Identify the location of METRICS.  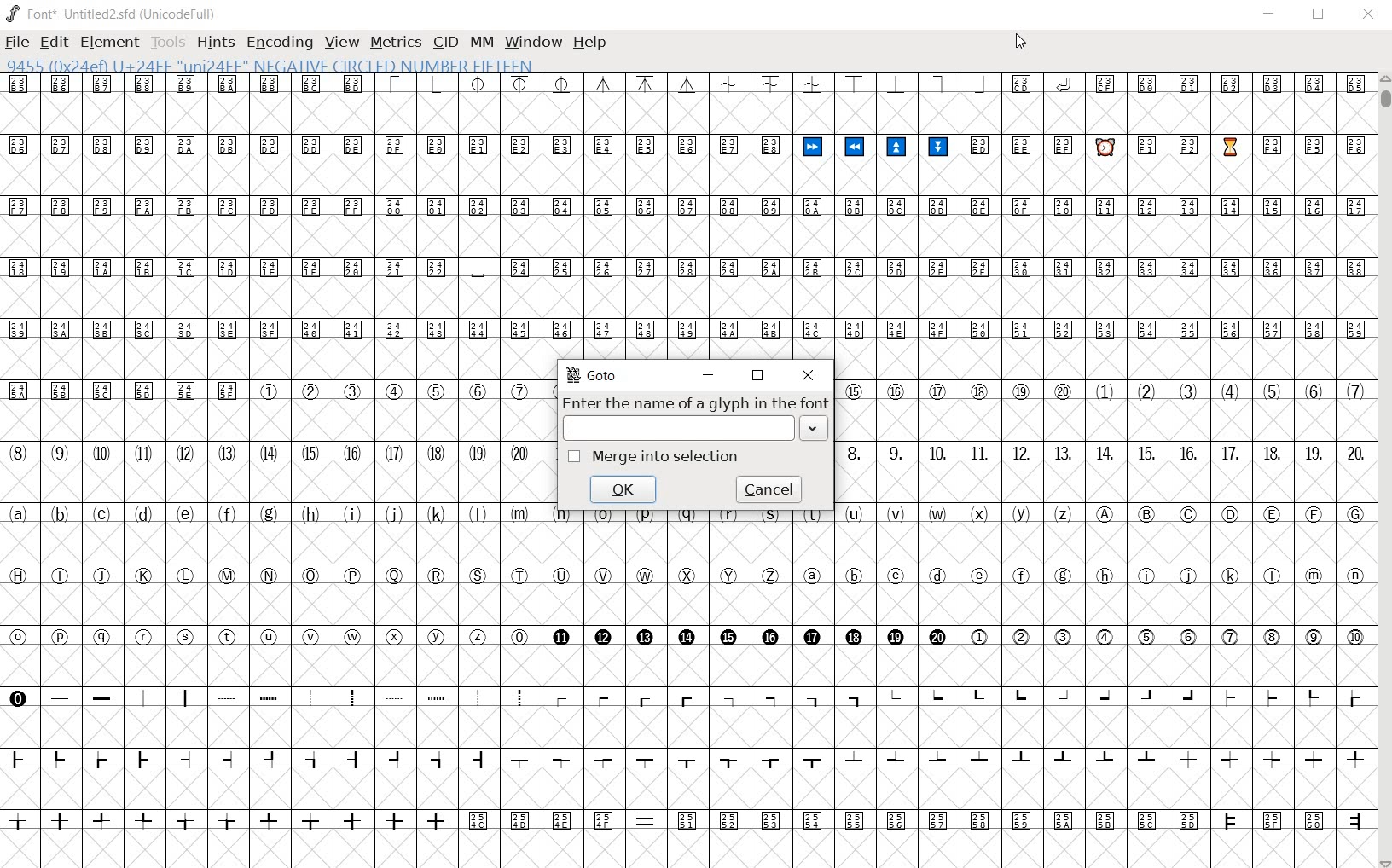
(396, 42).